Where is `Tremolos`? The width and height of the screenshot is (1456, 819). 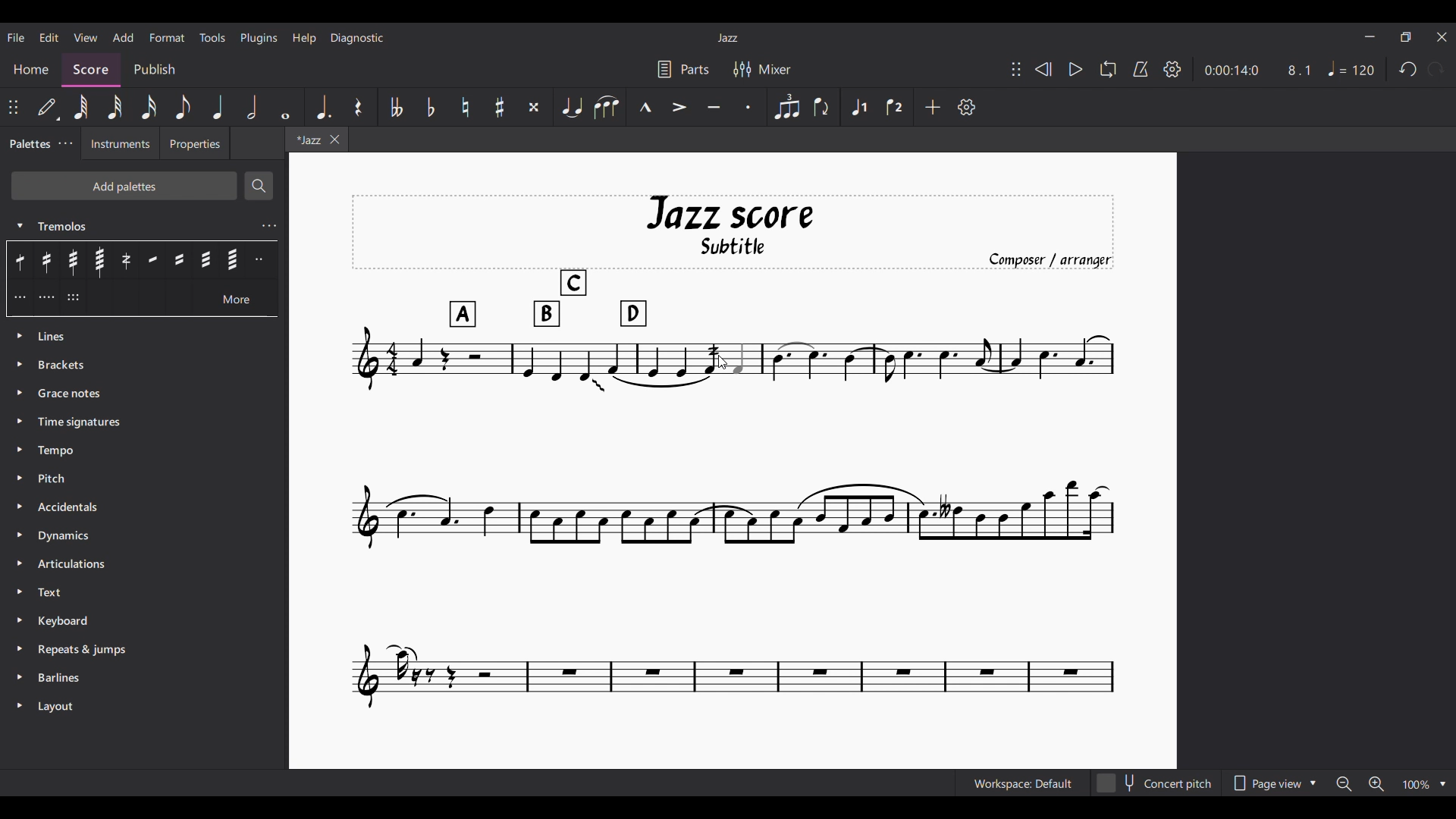 Tremolos is located at coordinates (131, 224).